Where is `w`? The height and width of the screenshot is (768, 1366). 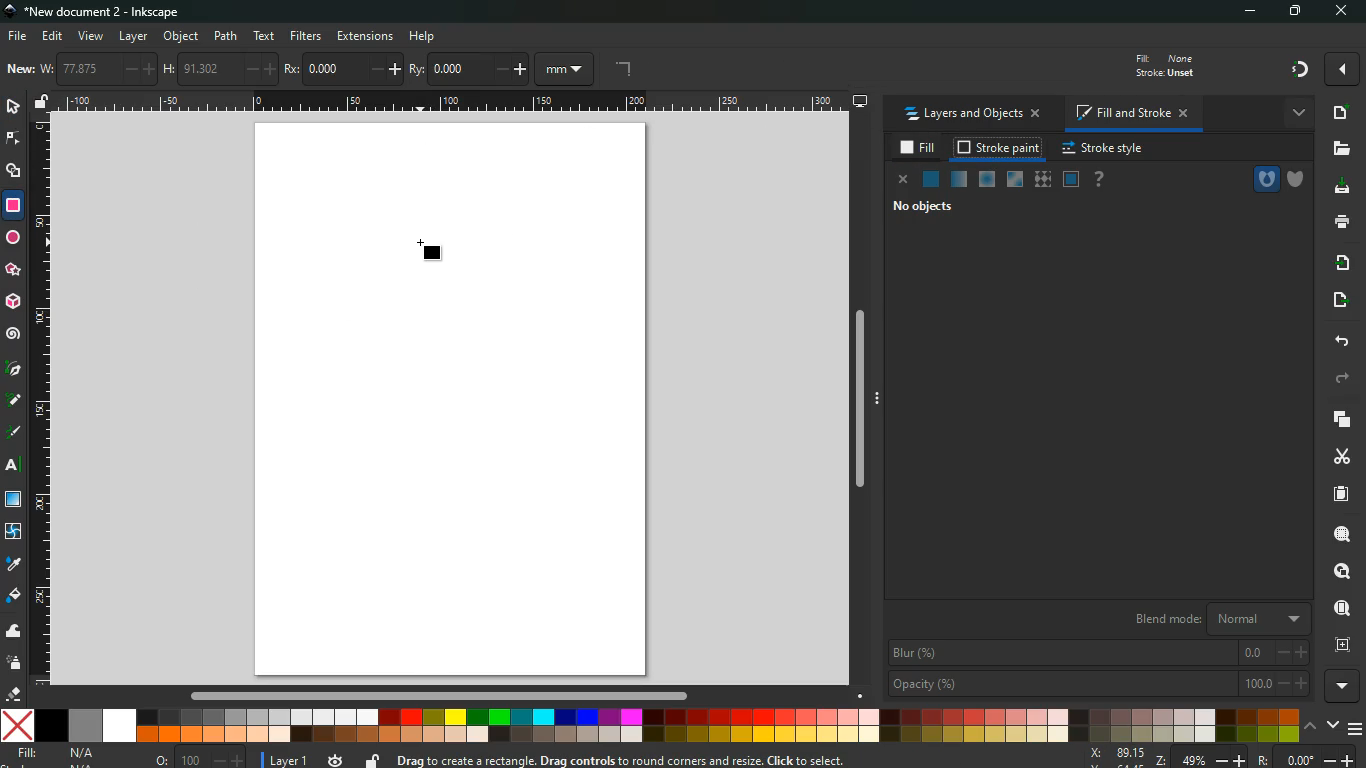
w is located at coordinates (97, 70).